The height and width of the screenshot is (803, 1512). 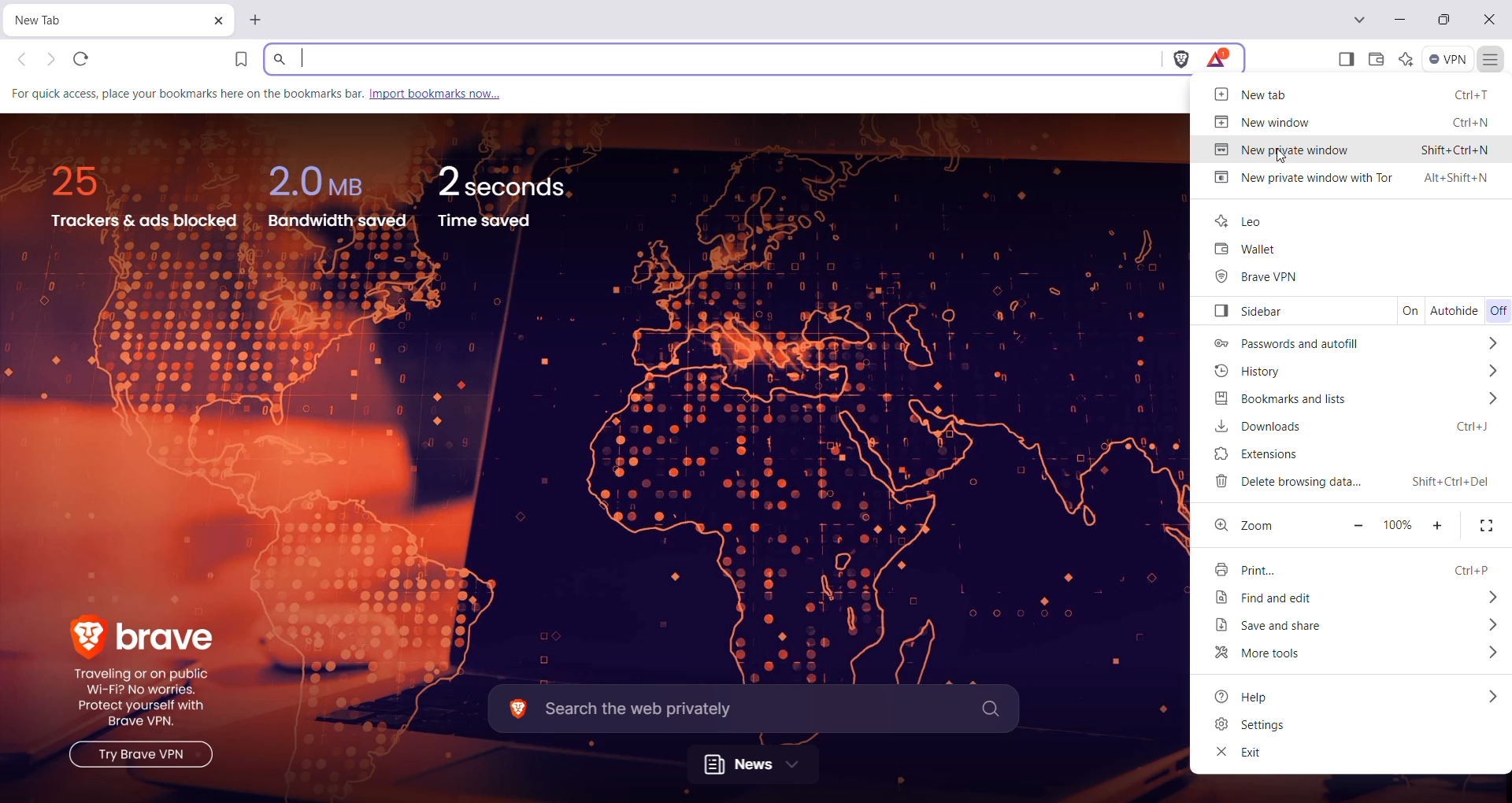 I want to click on Leo  AI, so click(x=1405, y=58).